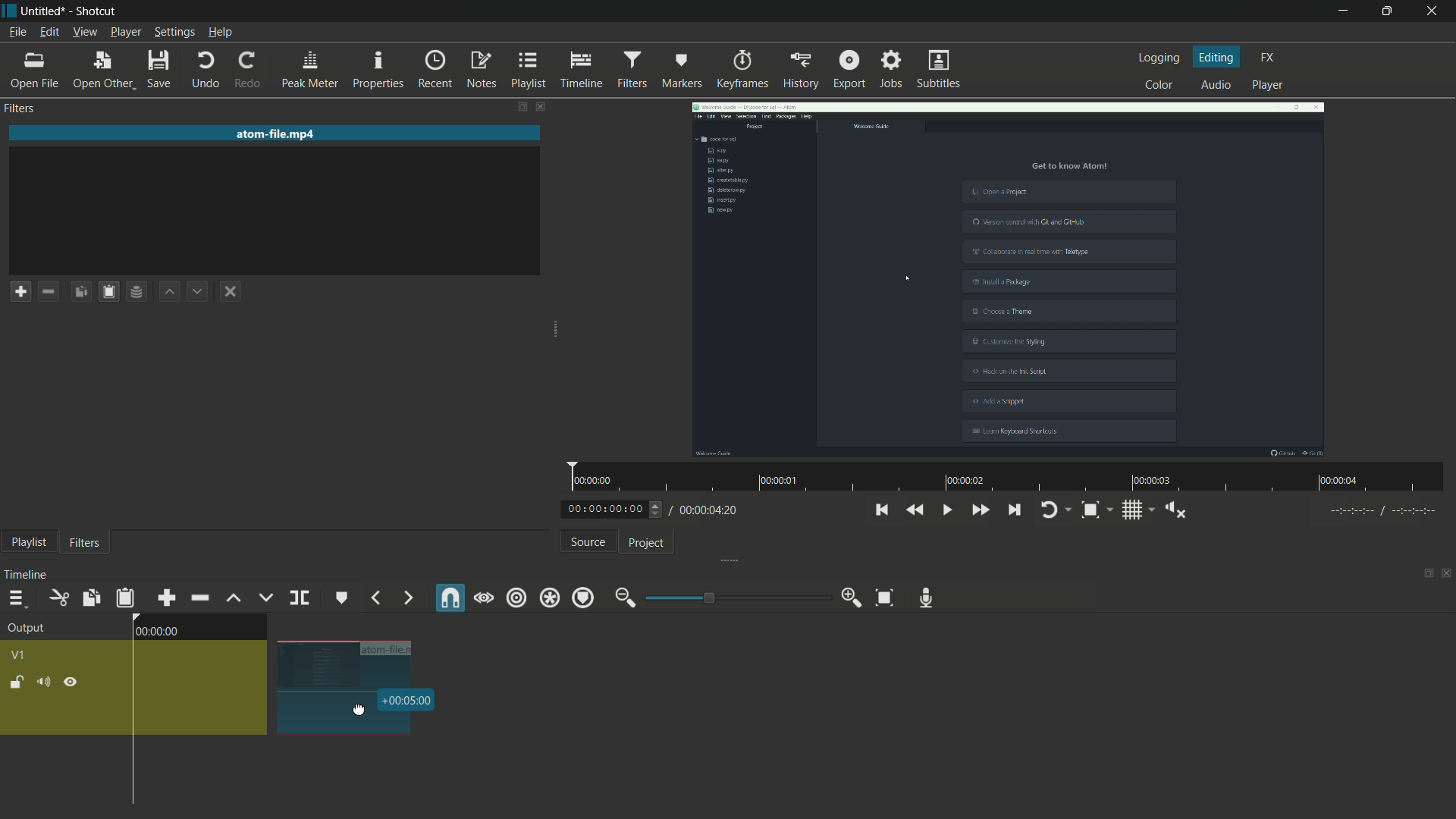  Describe the element at coordinates (543, 105) in the screenshot. I see `close filter pane` at that location.